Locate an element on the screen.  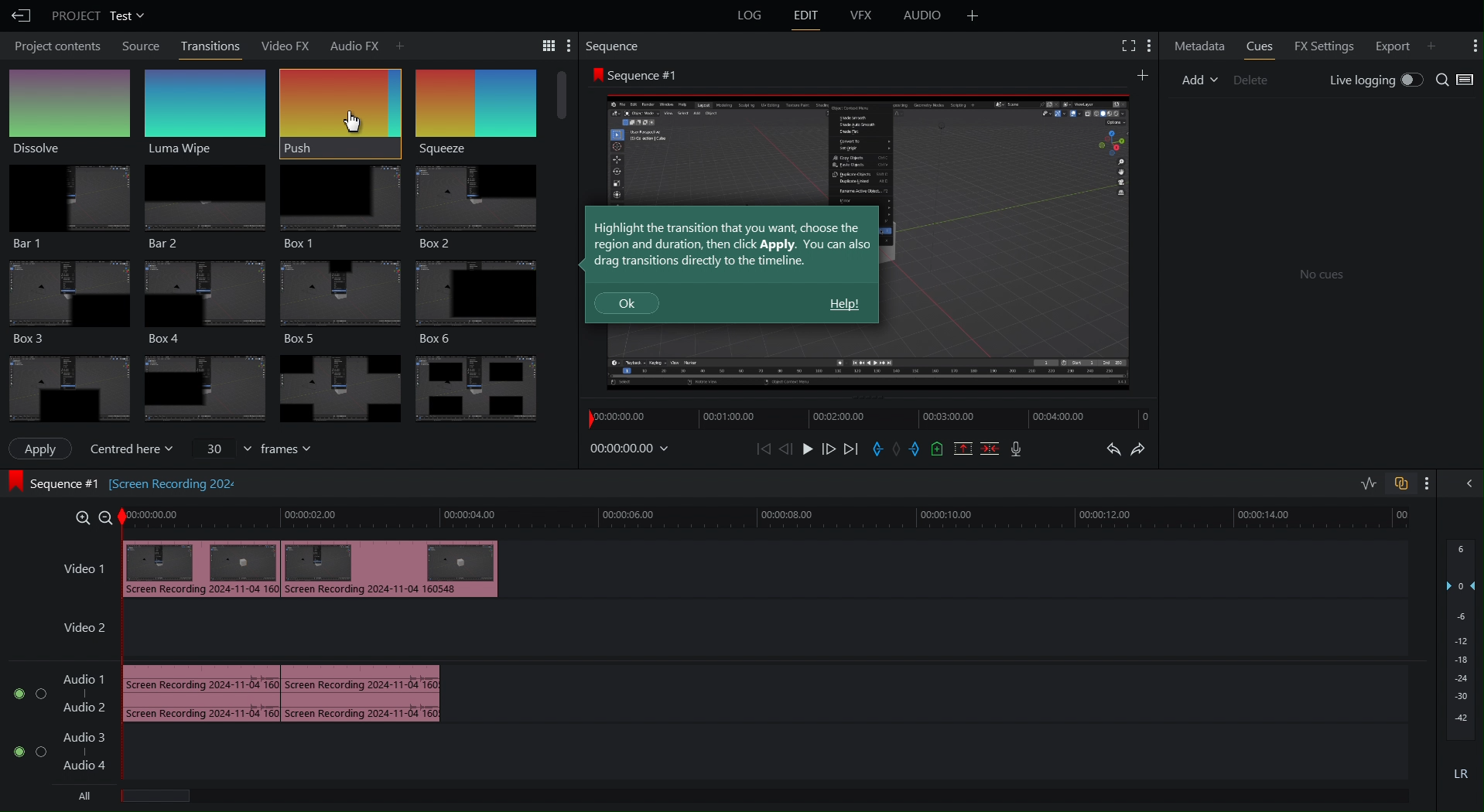
No cues is located at coordinates (1321, 275).